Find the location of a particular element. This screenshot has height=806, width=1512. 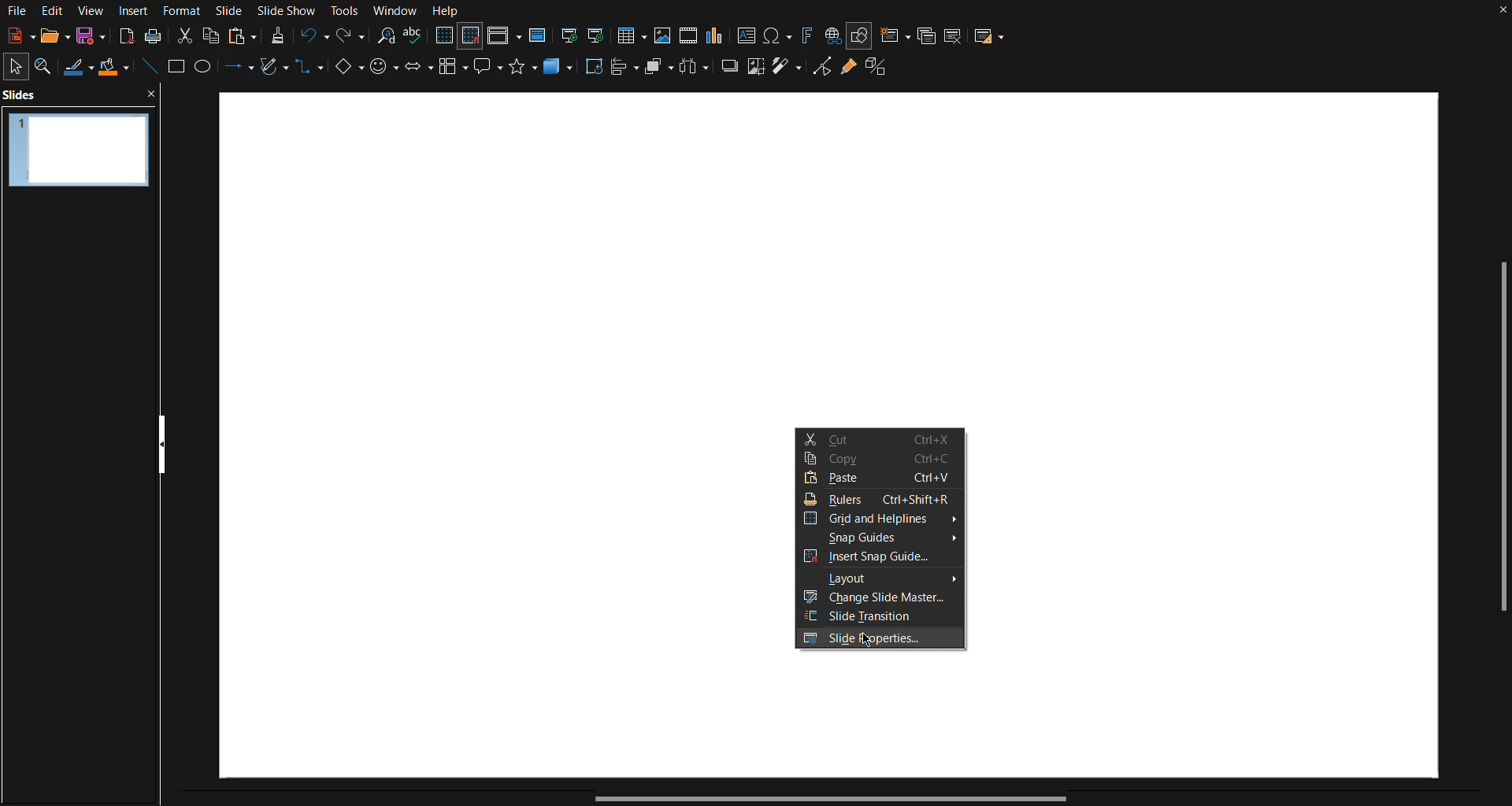

Show Draw Functions is located at coordinates (860, 34).